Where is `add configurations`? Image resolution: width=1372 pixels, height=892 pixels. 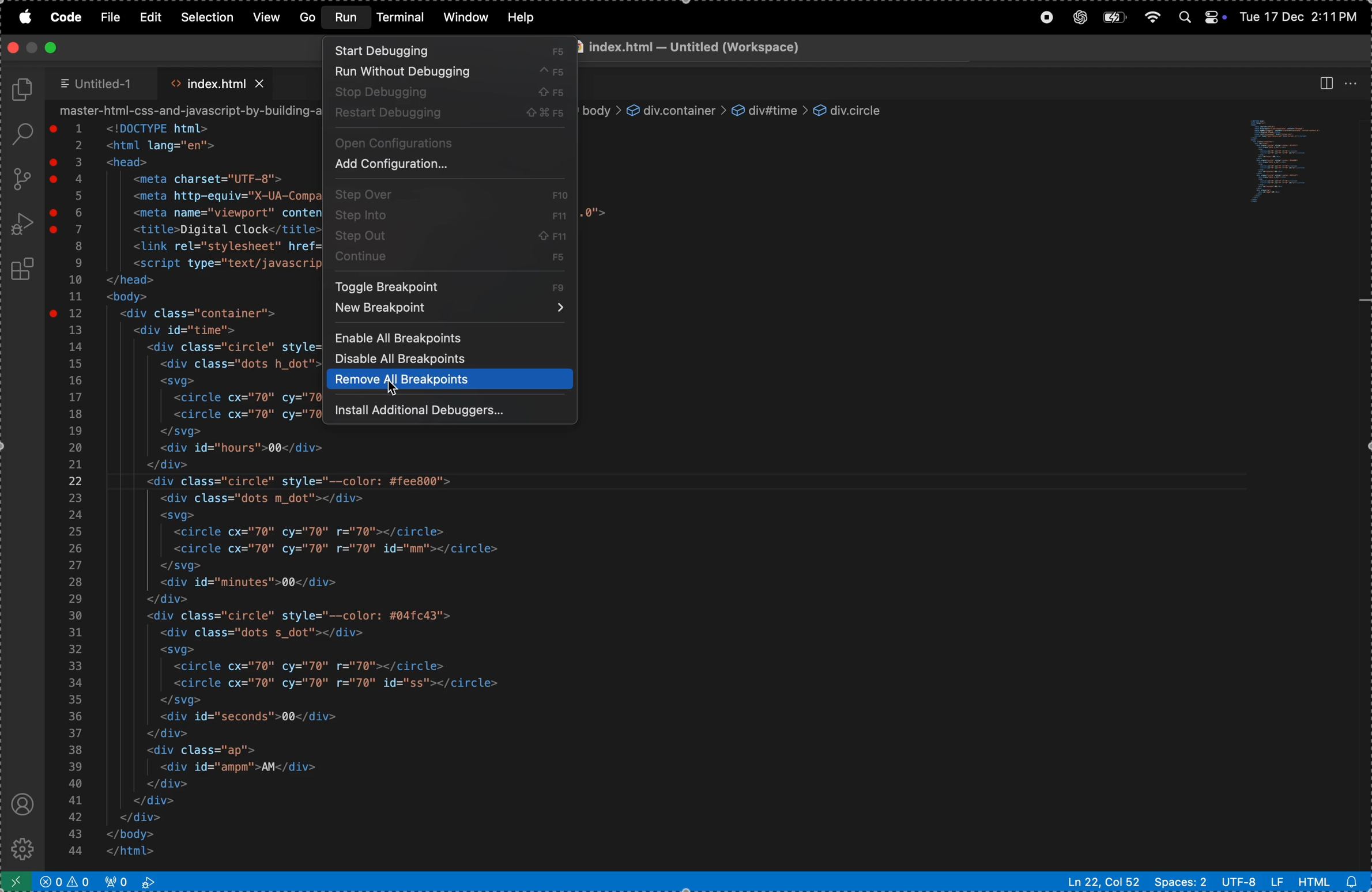 add configurations is located at coordinates (446, 167).